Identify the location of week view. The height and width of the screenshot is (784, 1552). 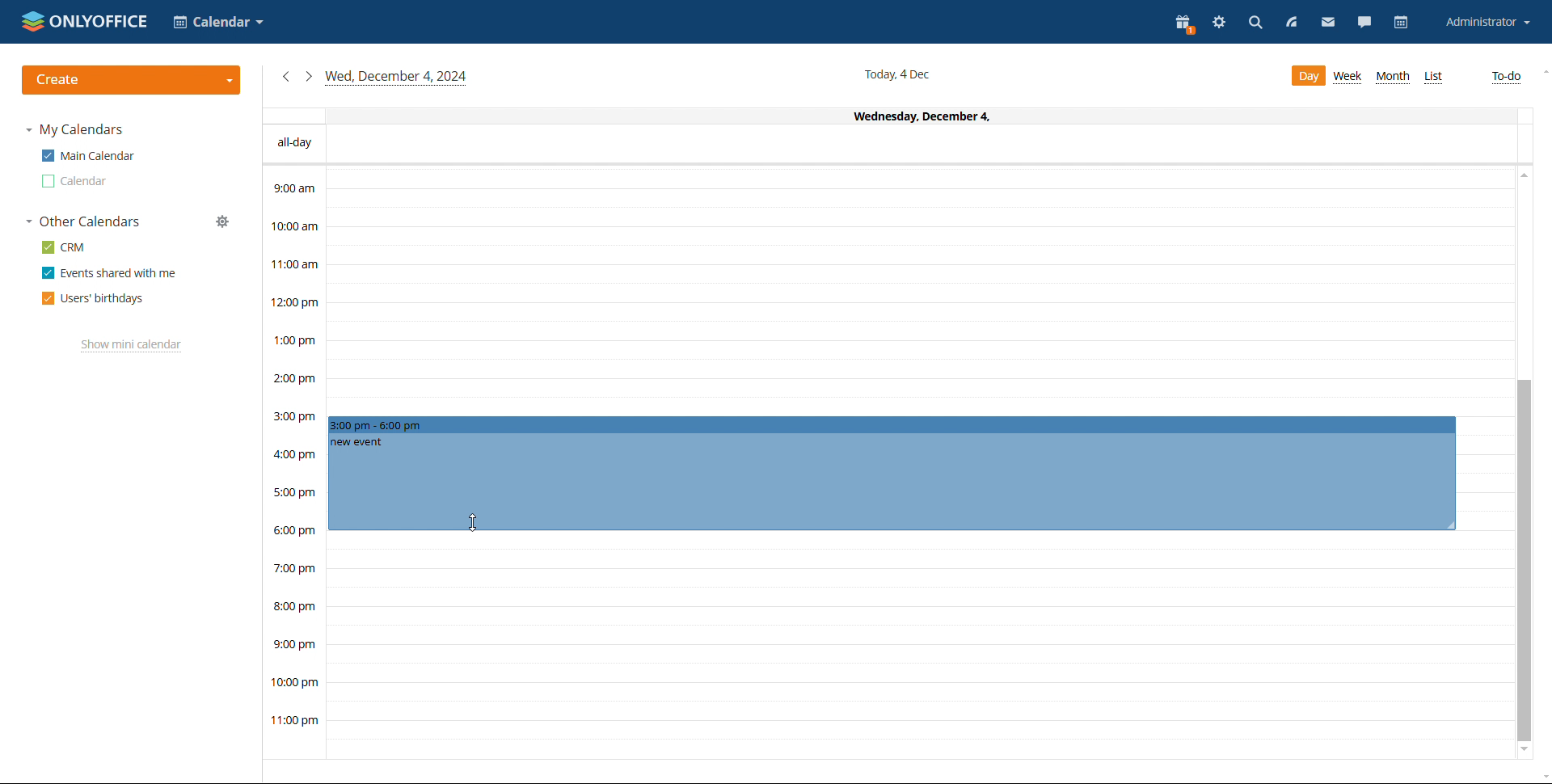
(1349, 77).